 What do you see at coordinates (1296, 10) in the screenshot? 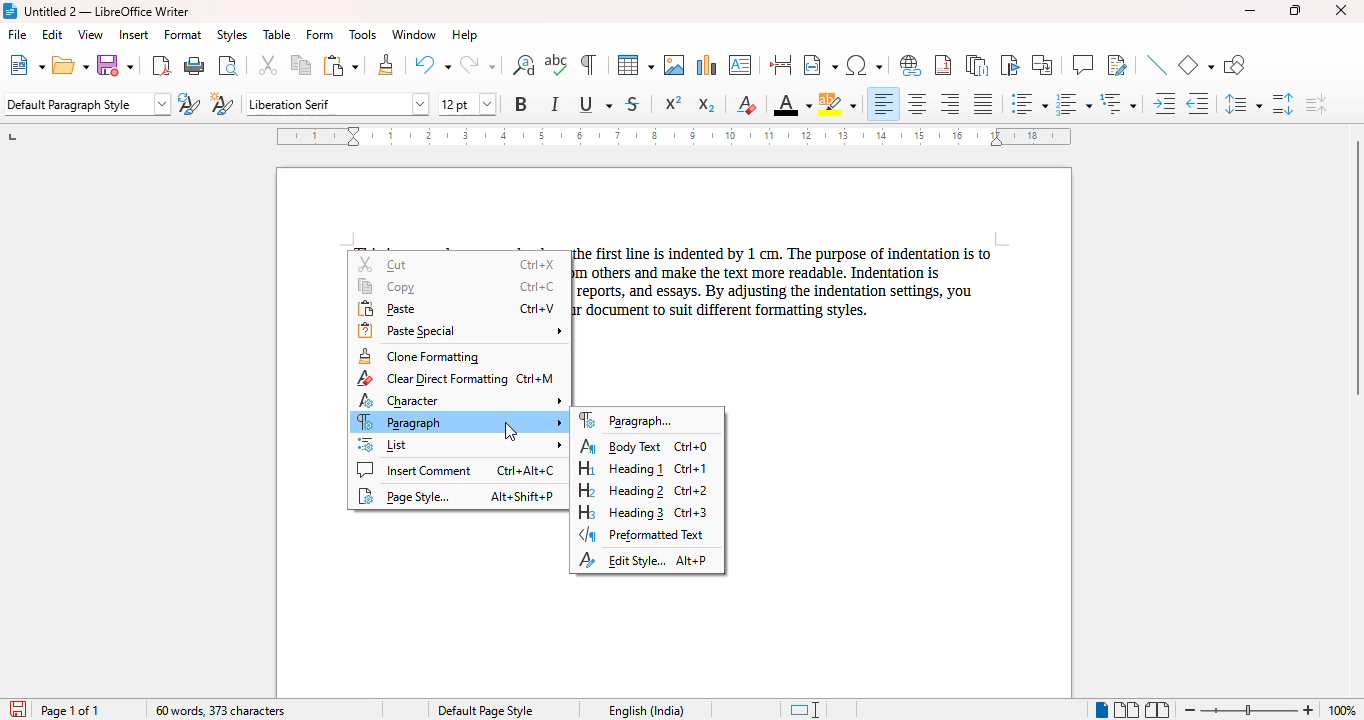
I see `maximize` at bounding box center [1296, 10].